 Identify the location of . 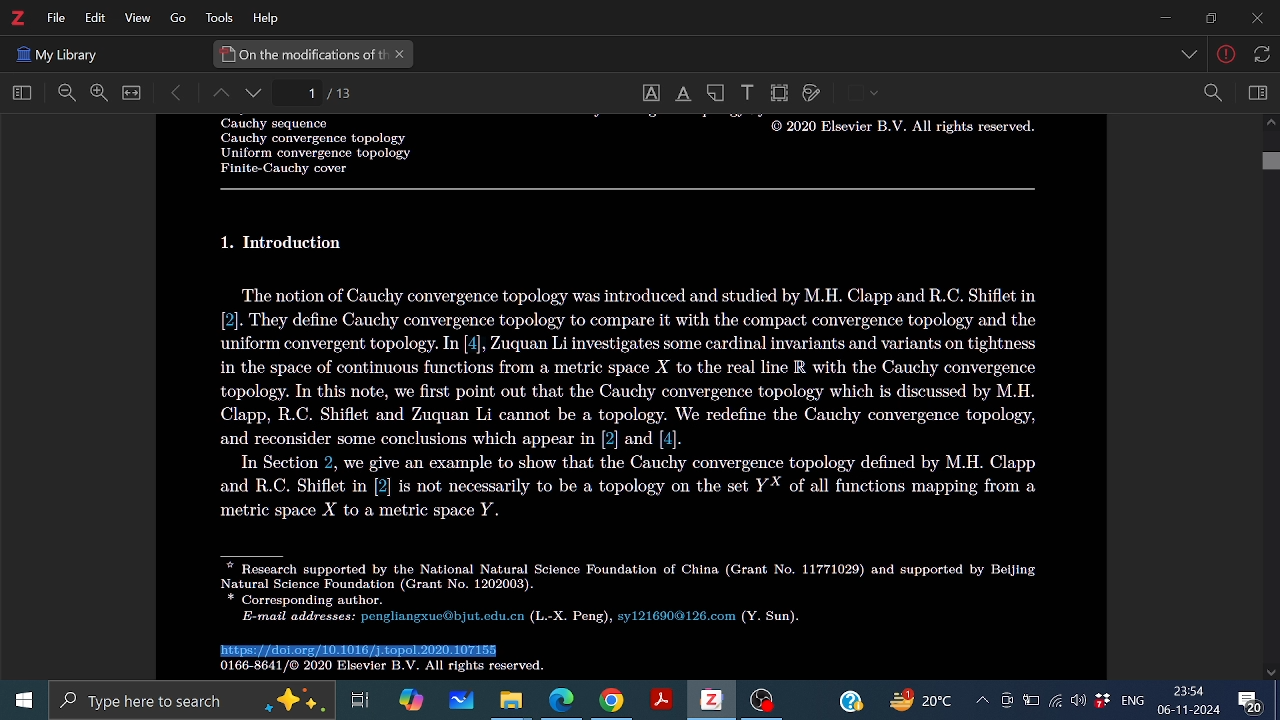
(1191, 56).